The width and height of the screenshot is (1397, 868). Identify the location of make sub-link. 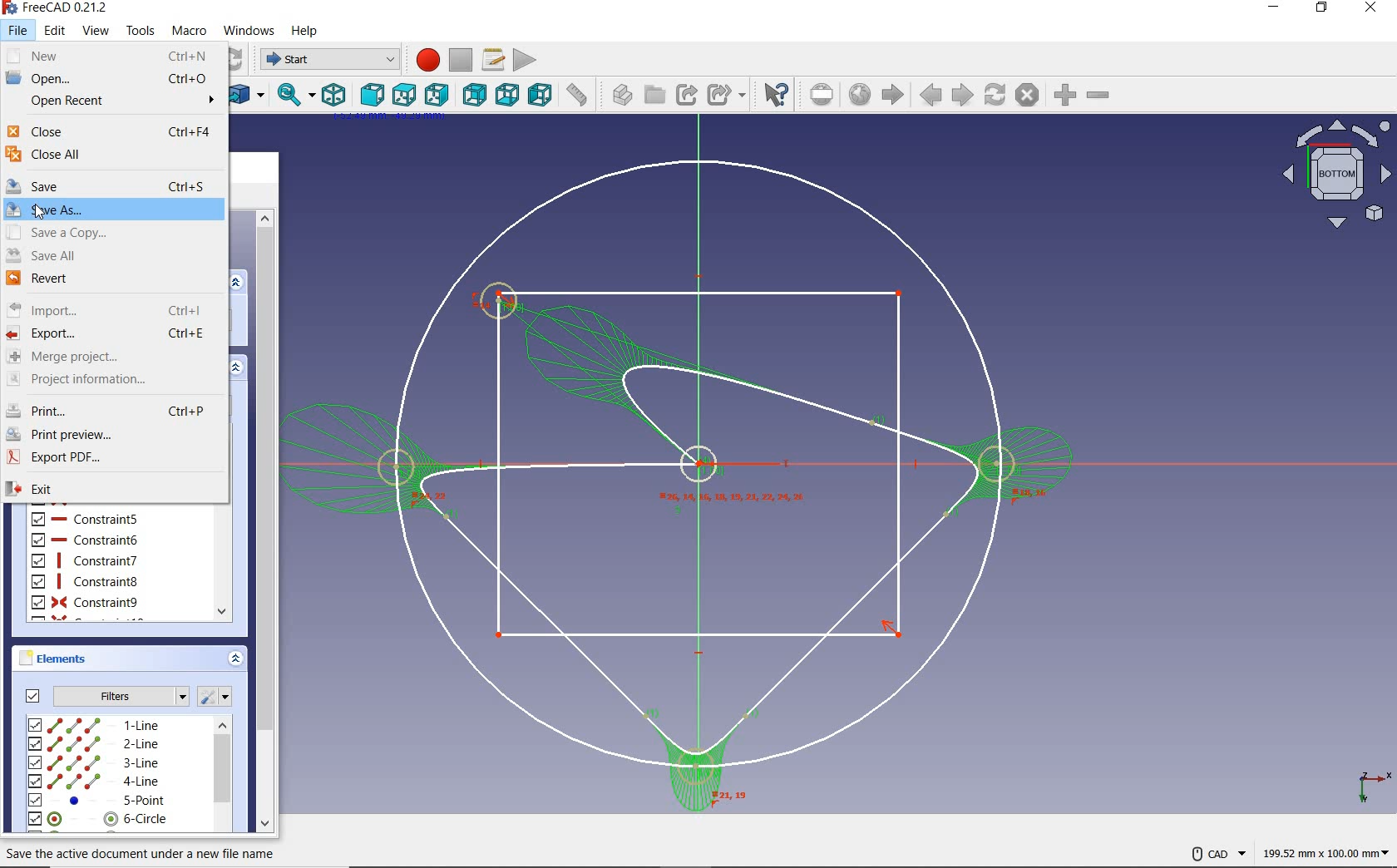
(726, 94).